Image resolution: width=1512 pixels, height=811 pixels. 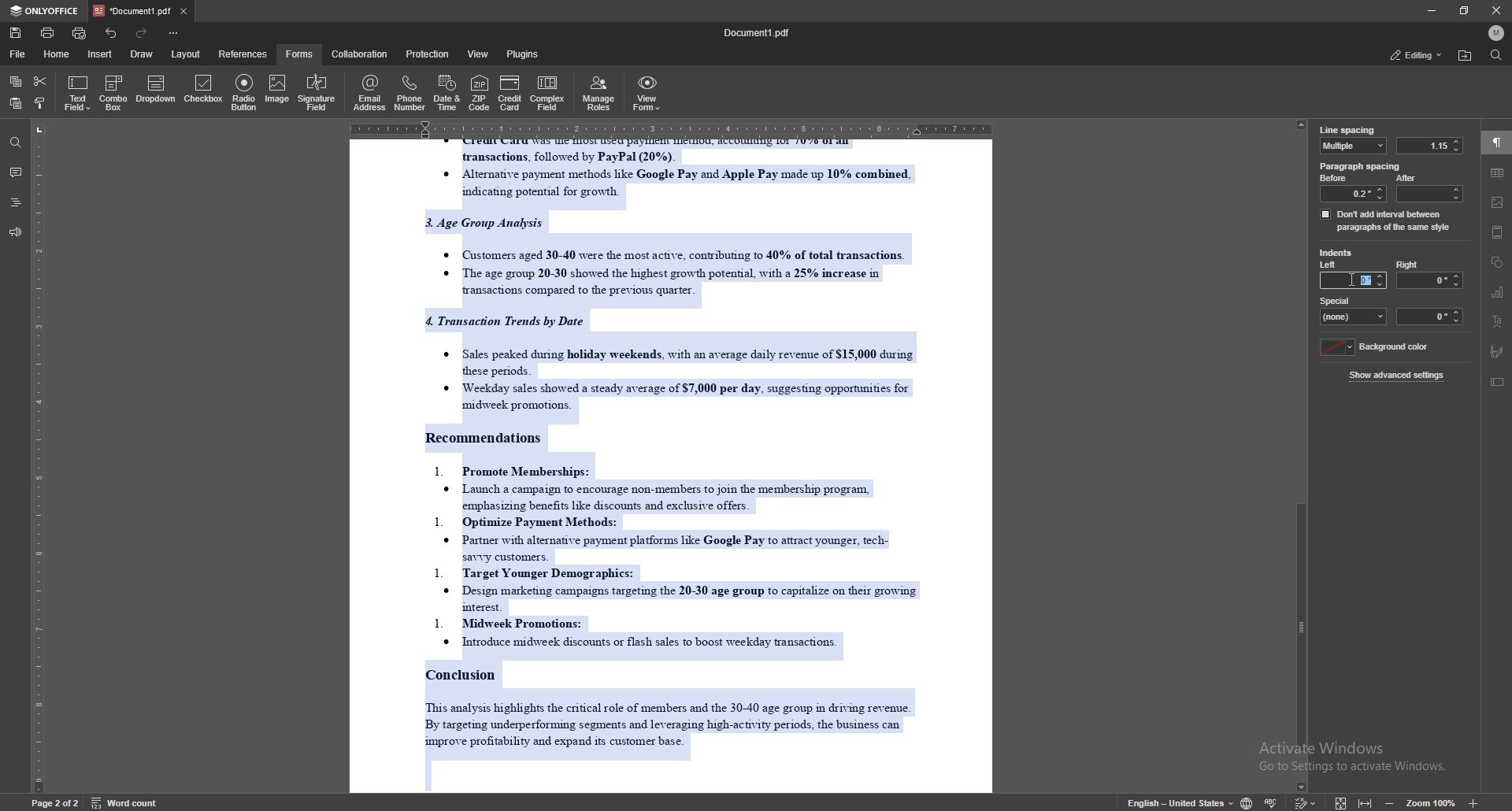 What do you see at coordinates (59, 54) in the screenshot?
I see `home` at bounding box center [59, 54].